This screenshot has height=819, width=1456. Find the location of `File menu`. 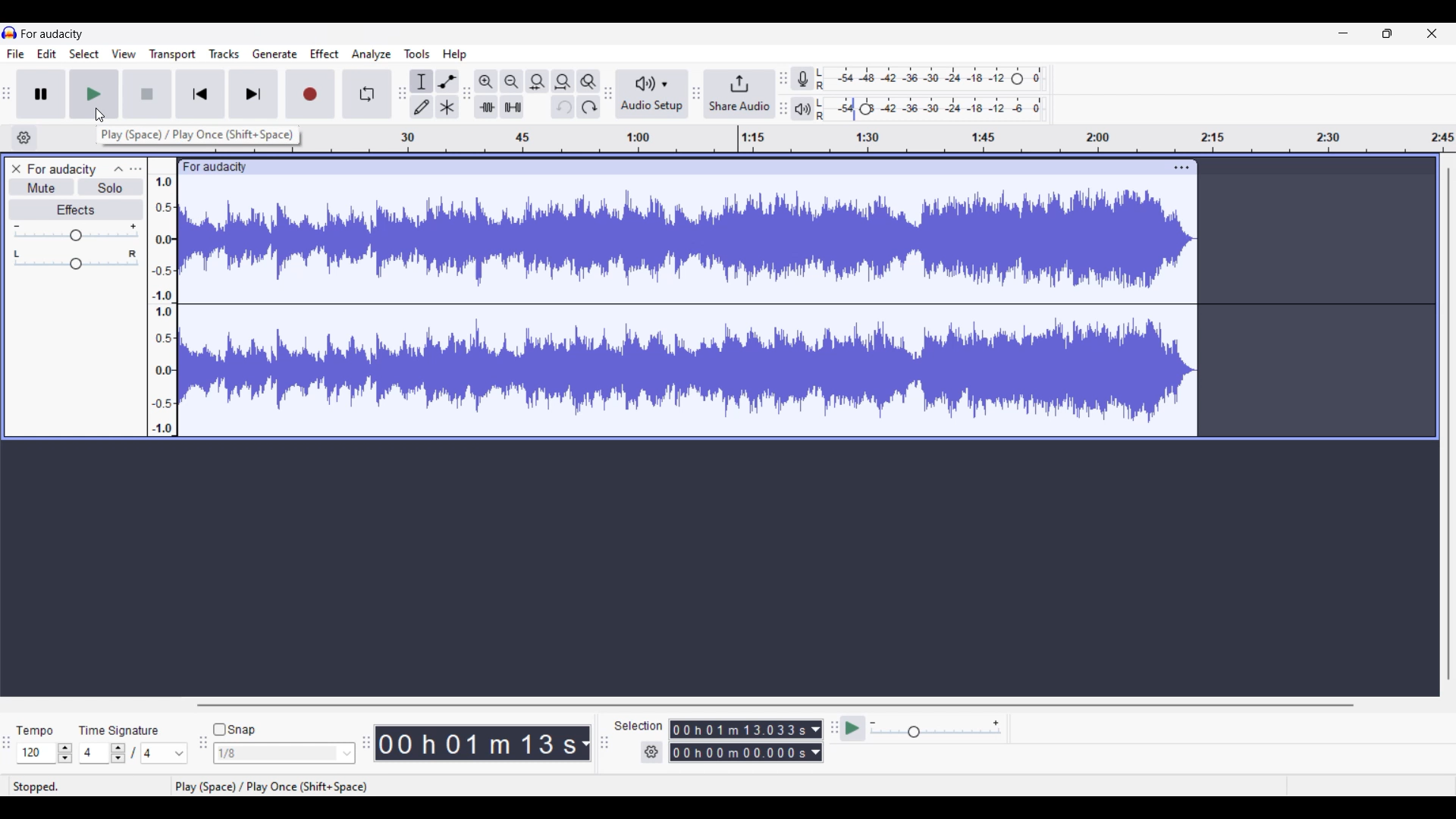

File menu is located at coordinates (16, 54).